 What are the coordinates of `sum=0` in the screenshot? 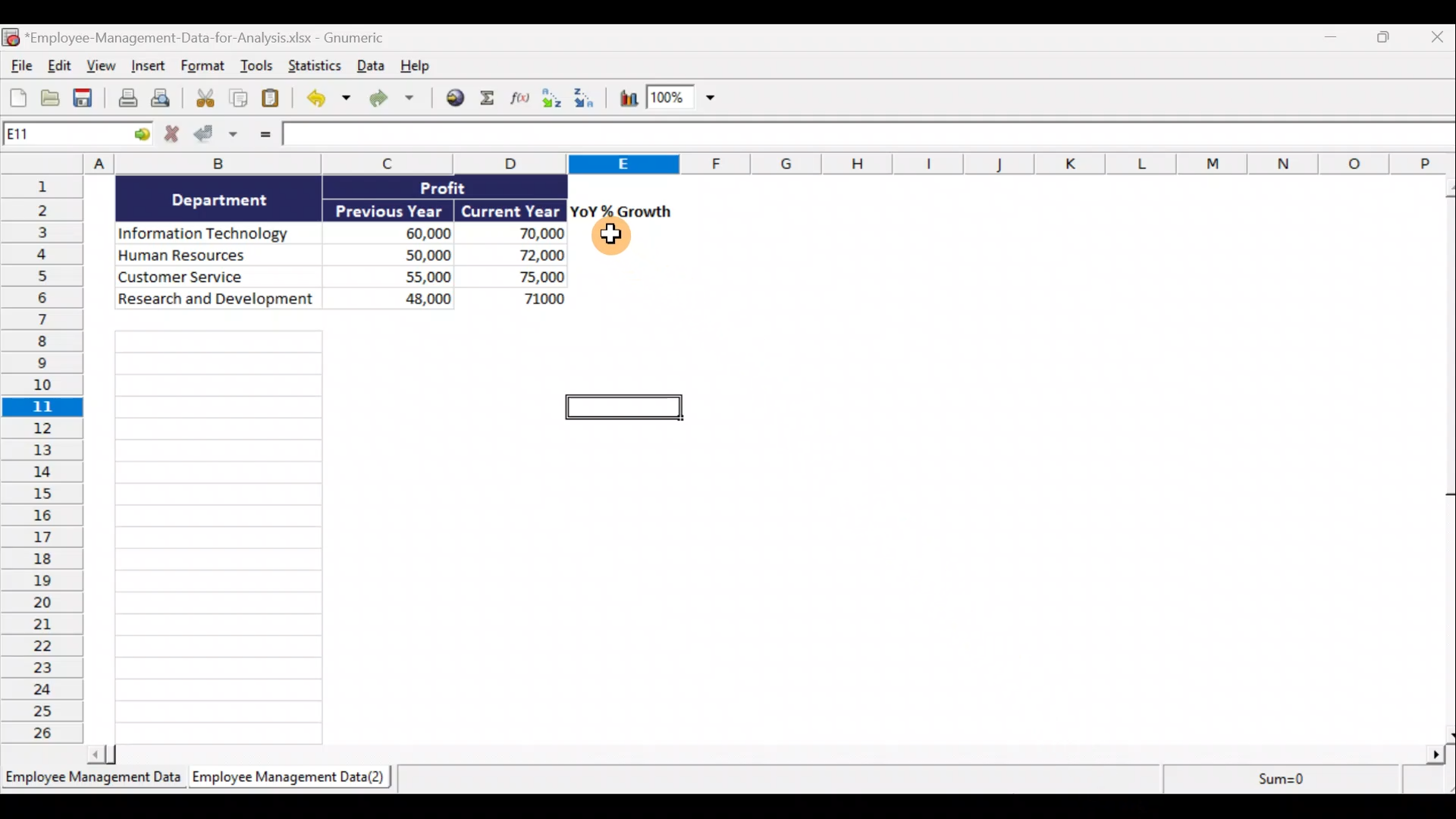 It's located at (1307, 781).